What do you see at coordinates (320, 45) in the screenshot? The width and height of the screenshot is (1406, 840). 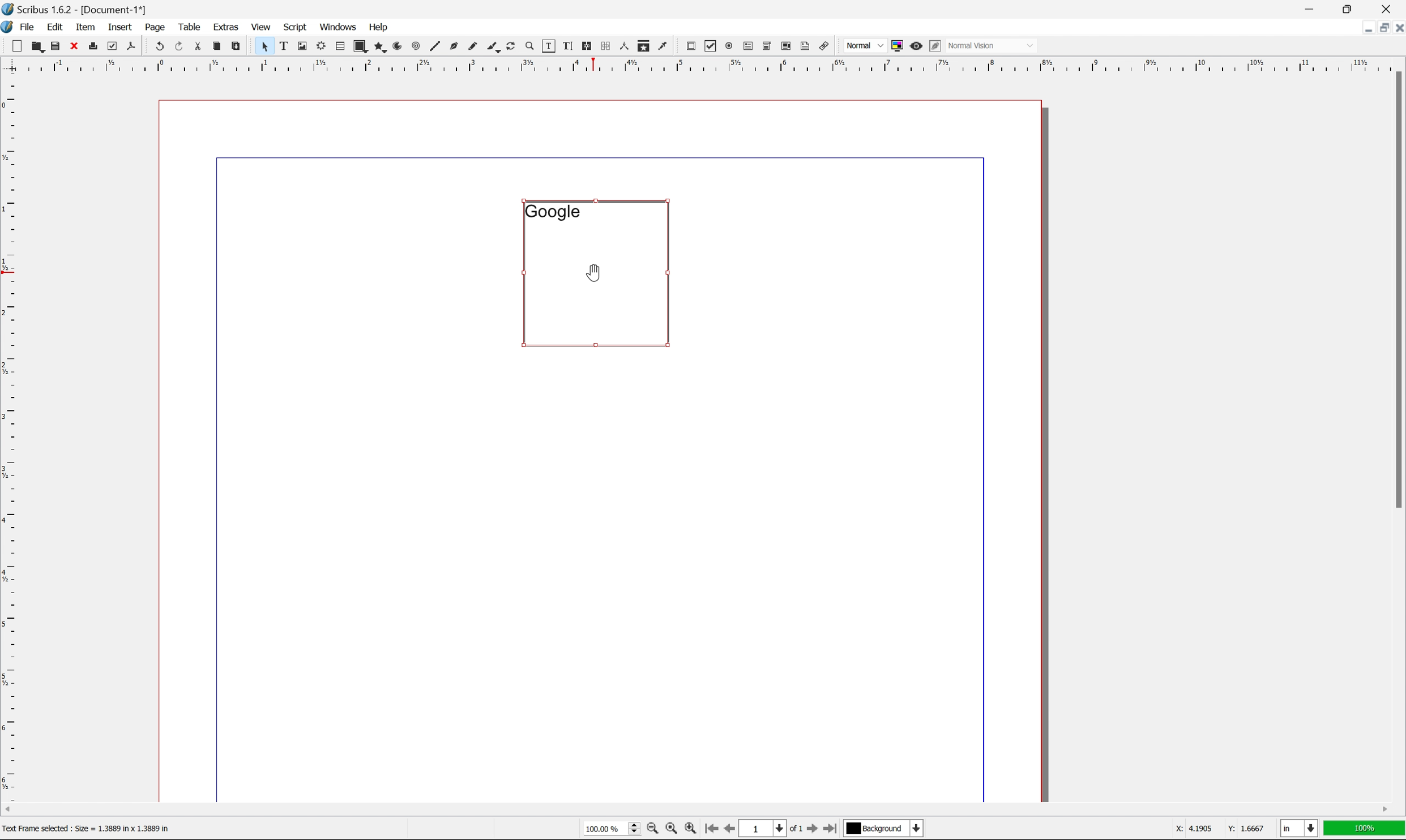 I see `render frame` at bounding box center [320, 45].